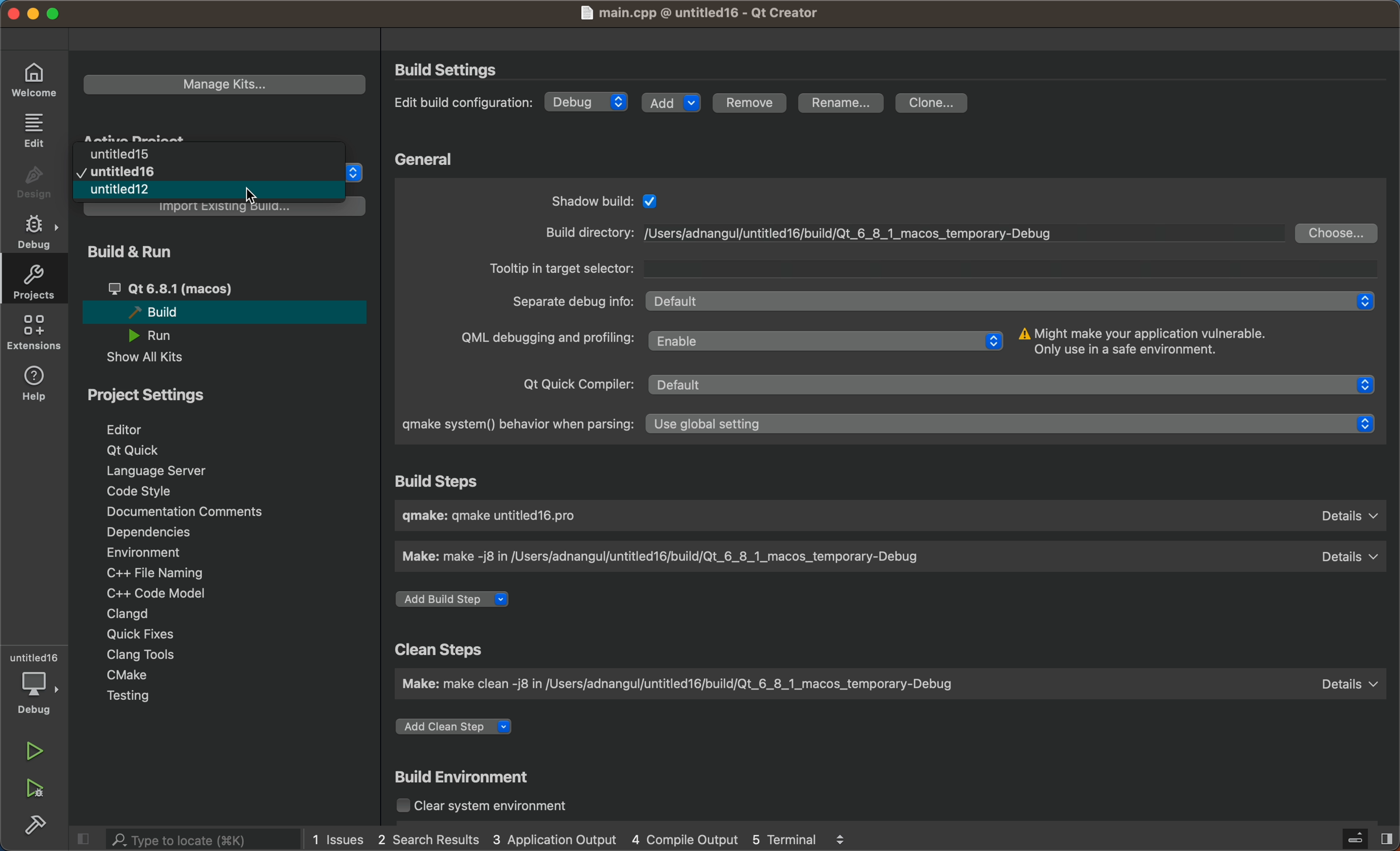 The image size is (1400, 851). What do you see at coordinates (251, 195) in the screenshot?
I see `cursor` at bounding box center [251, 195].